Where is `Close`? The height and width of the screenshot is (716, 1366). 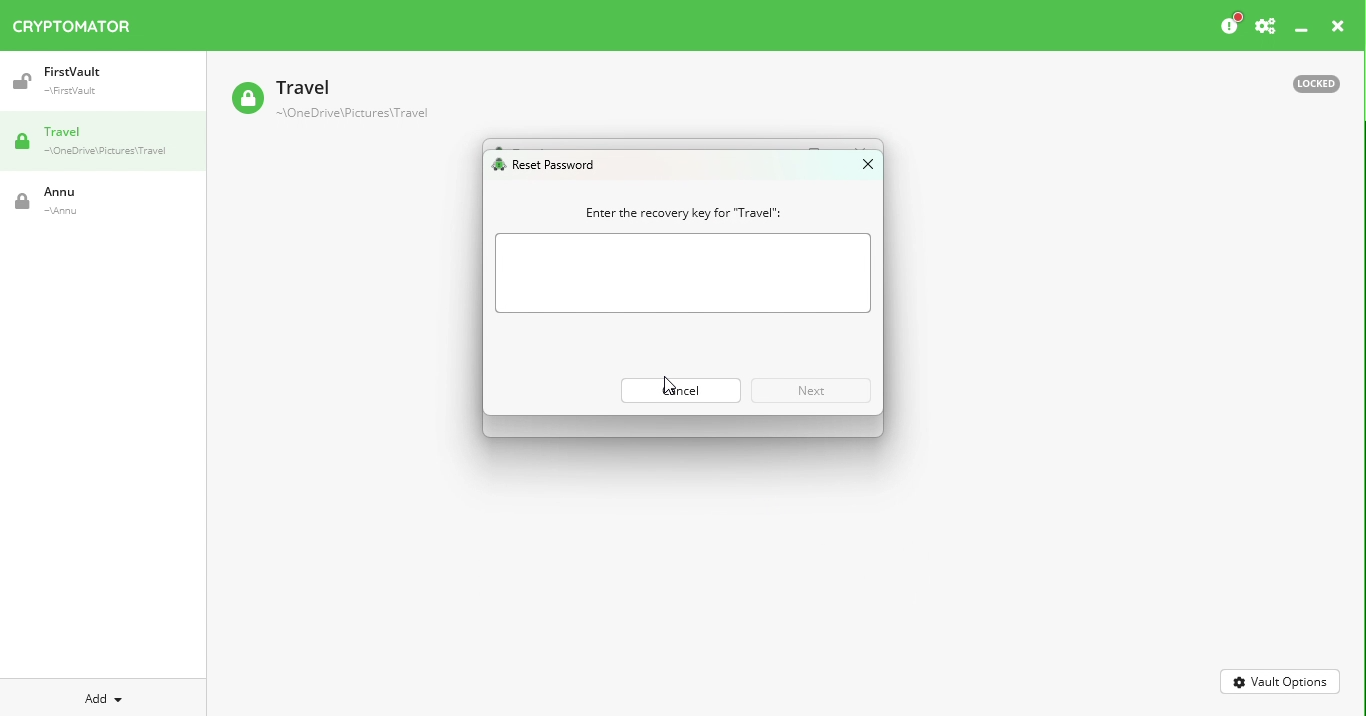
Close is located at coordinates (859, 168).